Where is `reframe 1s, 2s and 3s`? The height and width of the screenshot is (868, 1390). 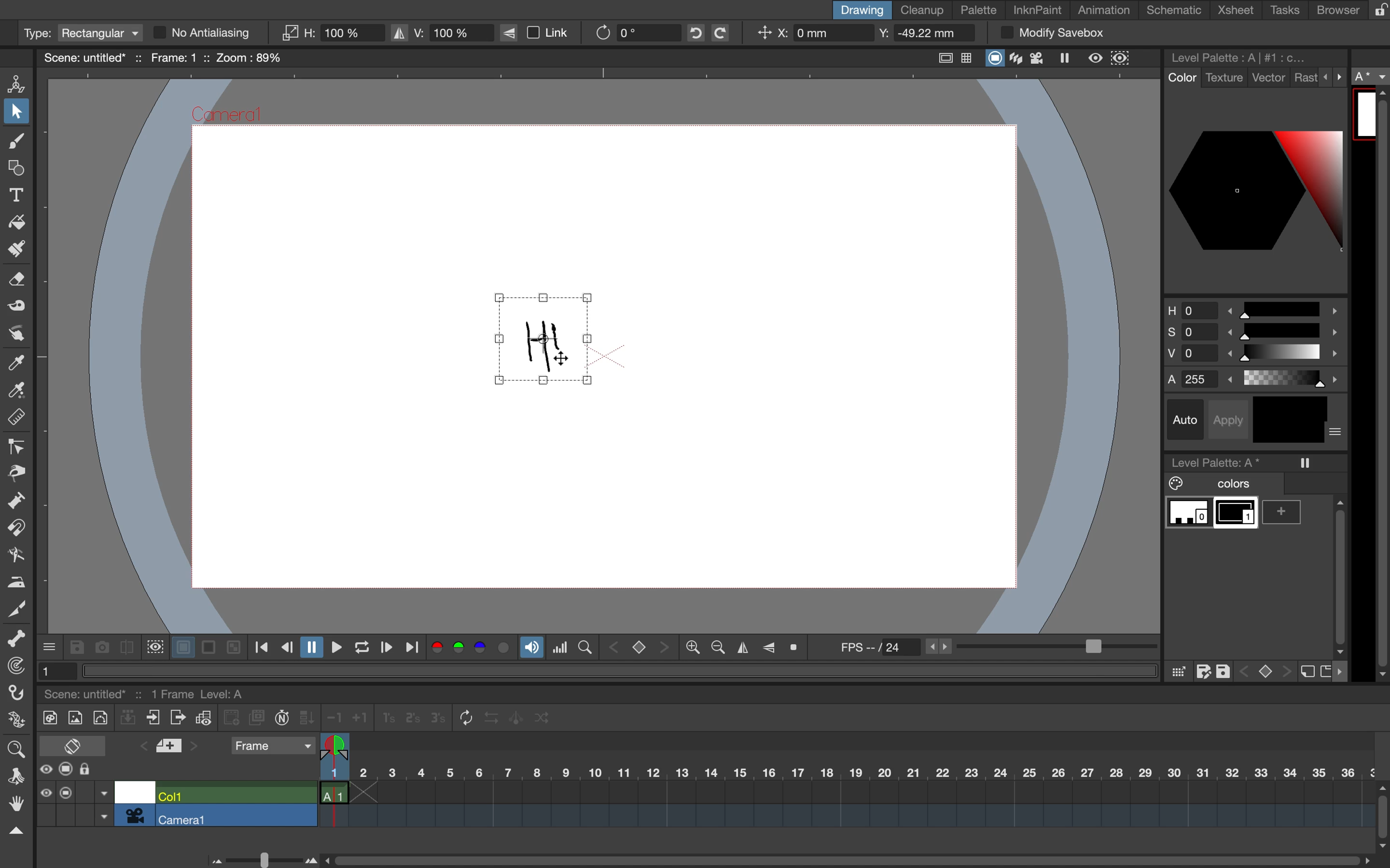 reframe 1s, 2s and 3s is located at coordinates (405, 719).